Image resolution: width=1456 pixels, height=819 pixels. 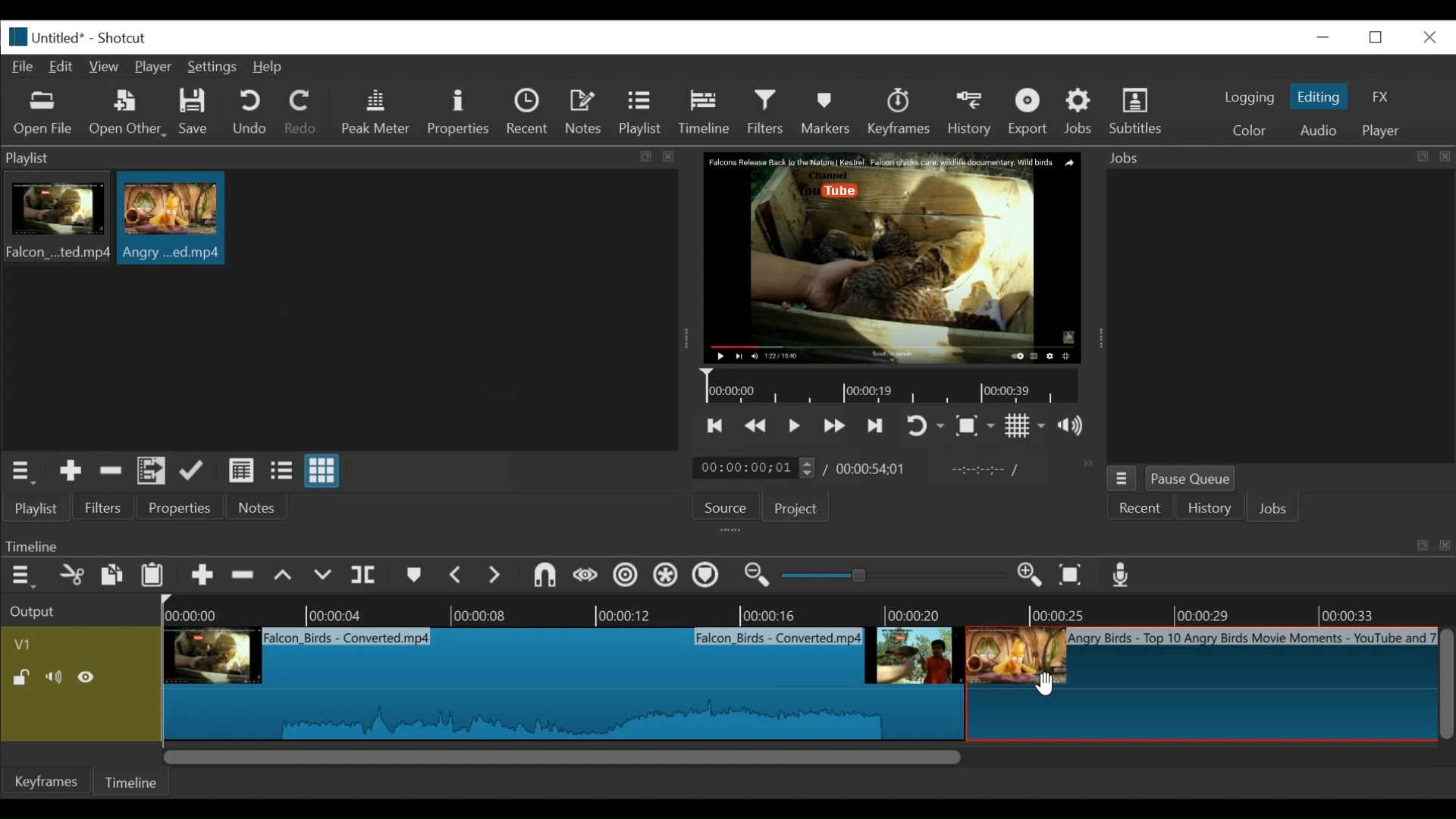 I want to click on overwrite, so click(x=325, y=576).